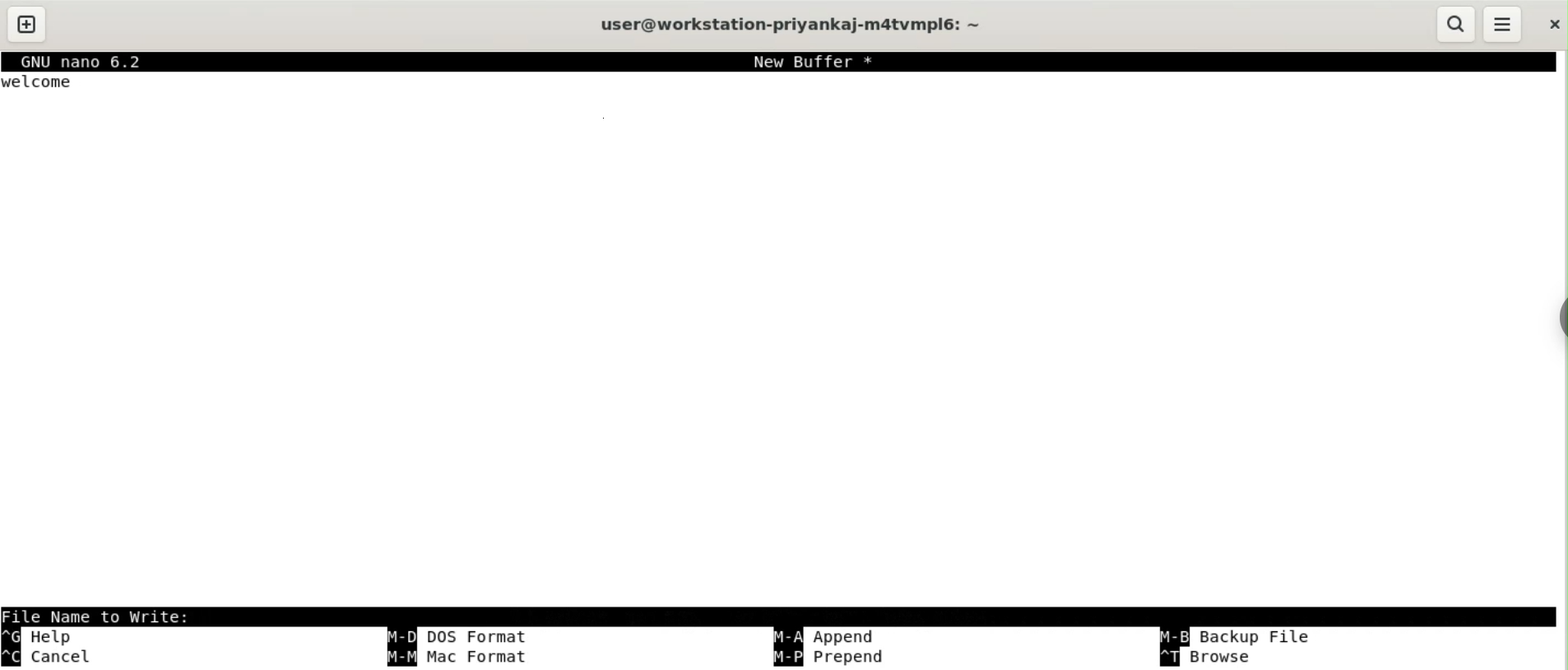  Describe the element at coordinates (830, 636) in the screenshot. I see `append` at that location.